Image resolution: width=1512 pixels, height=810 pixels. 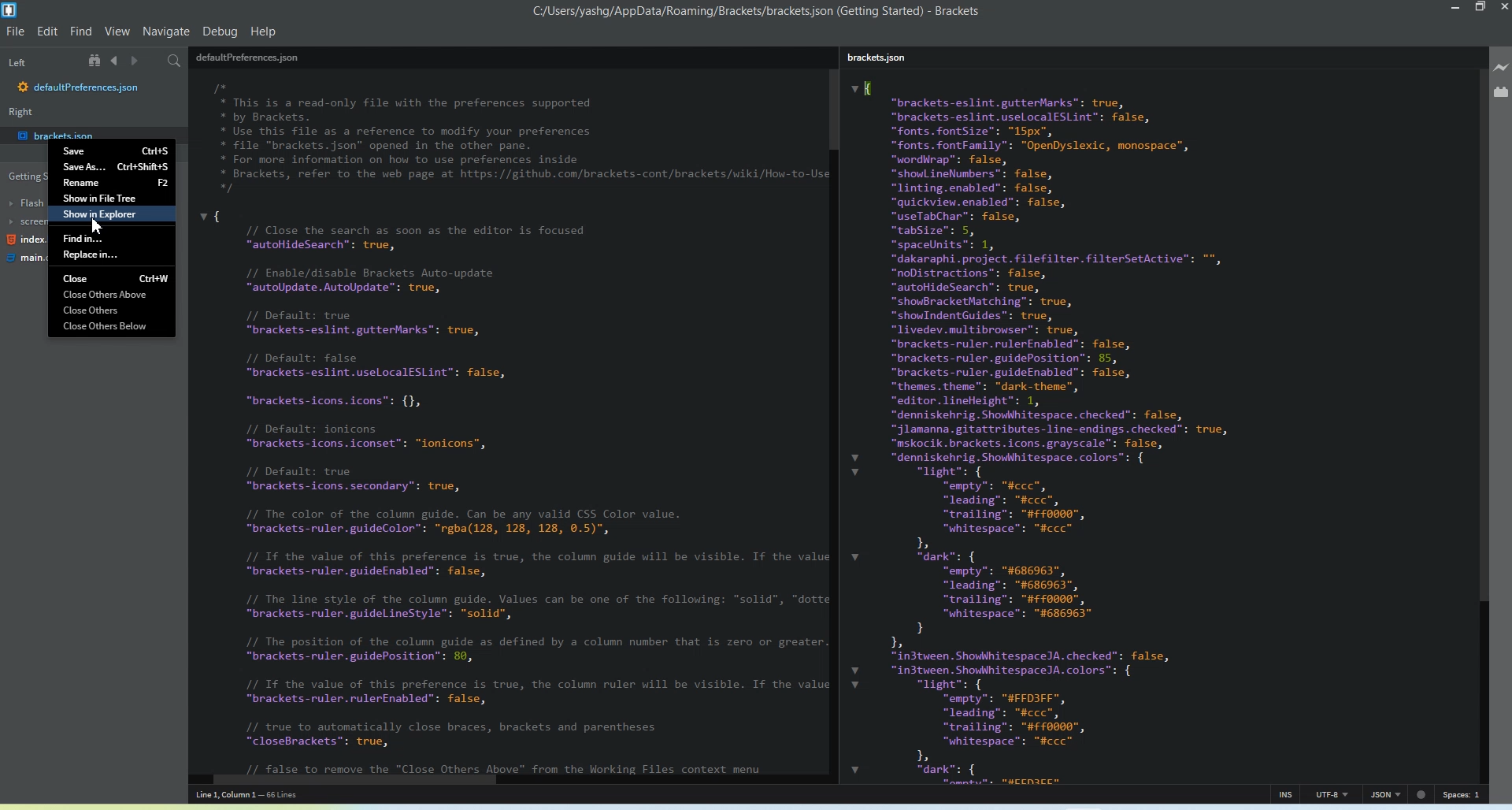 I want to click on F id
* This is a read-only file with the preferences supported
* by Brackets.
* Use this file as a reference to modify your preferences
* file "brackets.json" opened in the other pane.
* For more information on how to use preferences inside
* Brackets, refer to the web page at https://github.com/brackets-cont/brackets/wiki/How-to-Use
*/
vi
// Close the search as soon as the editor is focused
“autoHideSearch™: true,
// Enable/disable Brackets Auto-update
“autoUpdate. AutoUpdate”: true,
// Default: true
“brackets-eslint.gutterMarks™: true,
// Default: false
“brackets-eslint.uselocalESLint™: false,
“brackets-icons.icons™: {},
// Default: ionicons
“brackets-icons.iconset™: “ionicons”,
// Default: true
“brackets-icons. secondary”: true,
// The color of the column guide. Can be any valid CSS Color value.
“brackets-ruler.guideColor™: “rgba(128, 128, 128, 0.5)",
// Tf the value of this preference is true, the column guide will be visible. If the value
“brackets-ruler.guideEnabled”: false,
// The line style of the column guide. Values can be one of the following: “solid”, "dotte
“brackets-ruler.guidel ineStyle™: "solid",
// The position of the column guide as defined by a column number that is zero or greater.
“brackets-ruler.guidePosition”: 89,
// Tf the value of this preference is true, the column ruler will be visible. If the value
“brackets-ruler.rulerEnabled”: false,
// true to automatically close braces, brackets and parentheses
“closeBrackets™: true,, so click(x=510, y=428).